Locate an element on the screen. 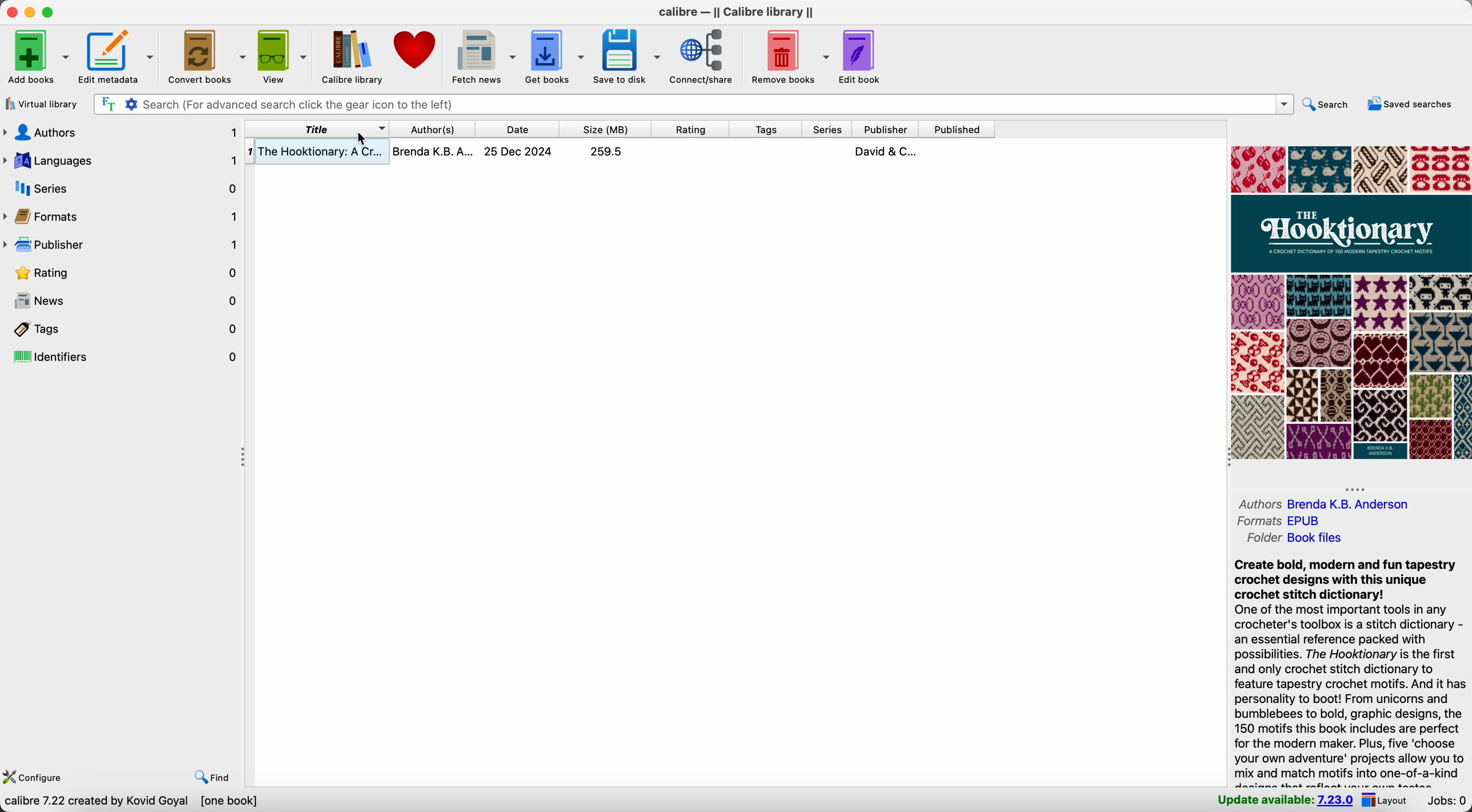  close Calibre is located at coordinates (11, 11).